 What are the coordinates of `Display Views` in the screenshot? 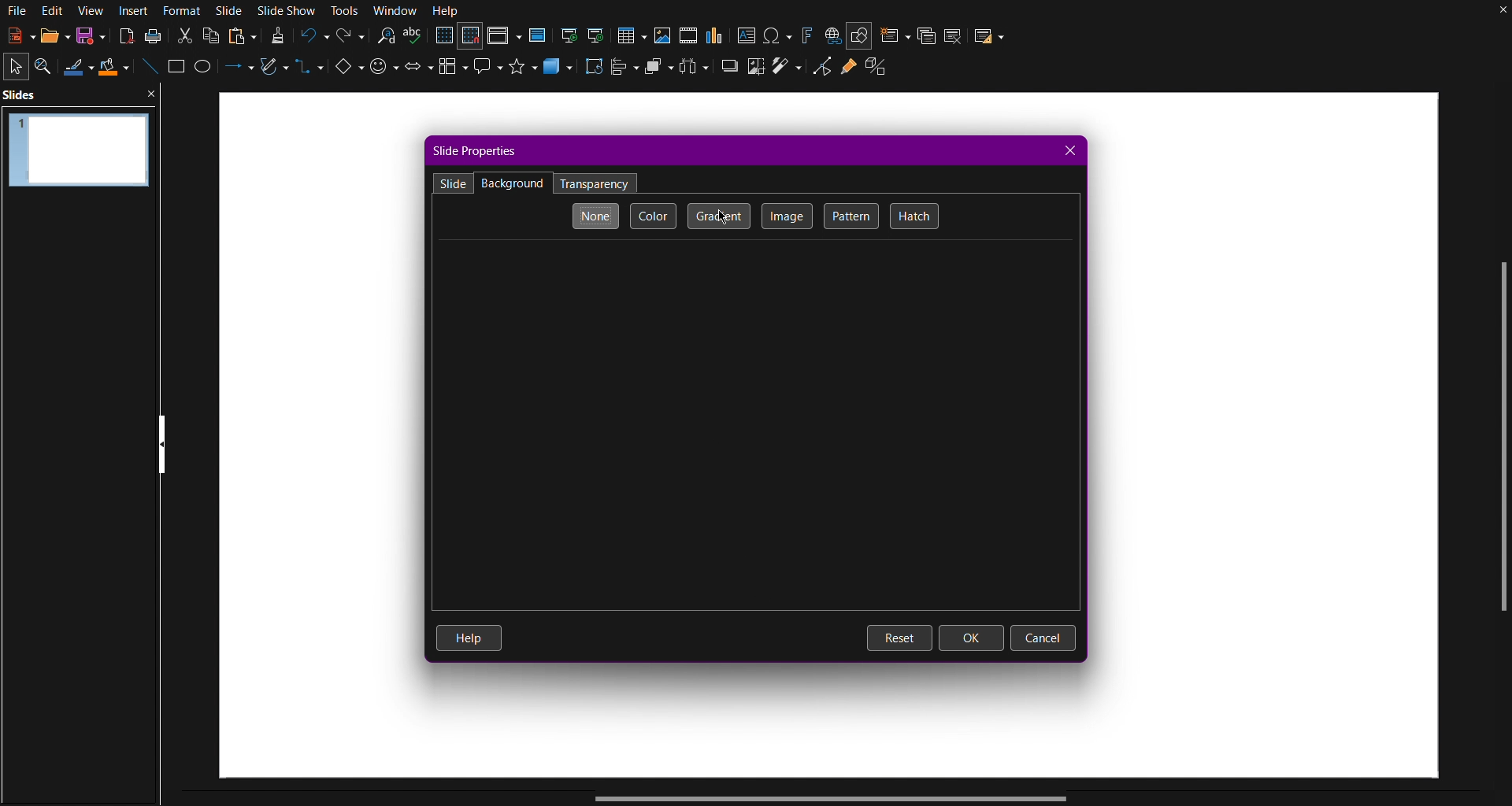 It's located at (505, 36).